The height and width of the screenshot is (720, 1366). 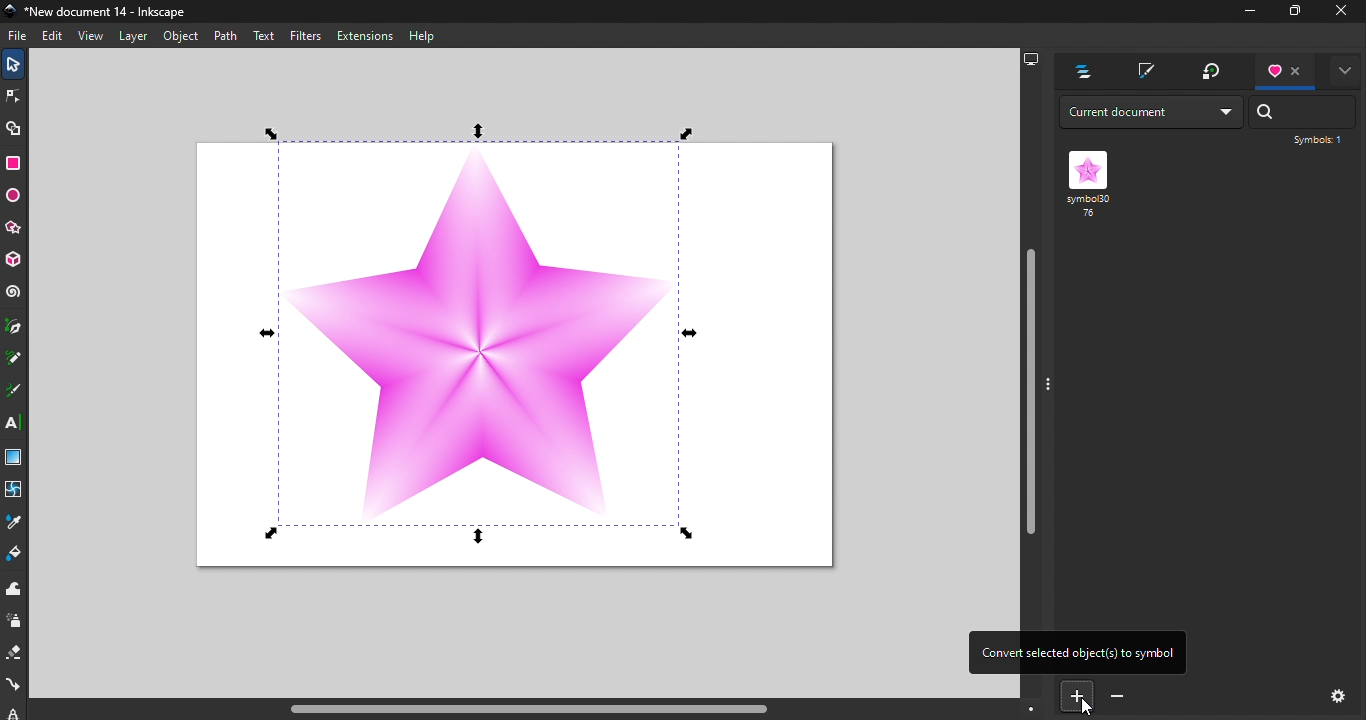 I want to click on toggle command panel, so click(x=1049, y=387).